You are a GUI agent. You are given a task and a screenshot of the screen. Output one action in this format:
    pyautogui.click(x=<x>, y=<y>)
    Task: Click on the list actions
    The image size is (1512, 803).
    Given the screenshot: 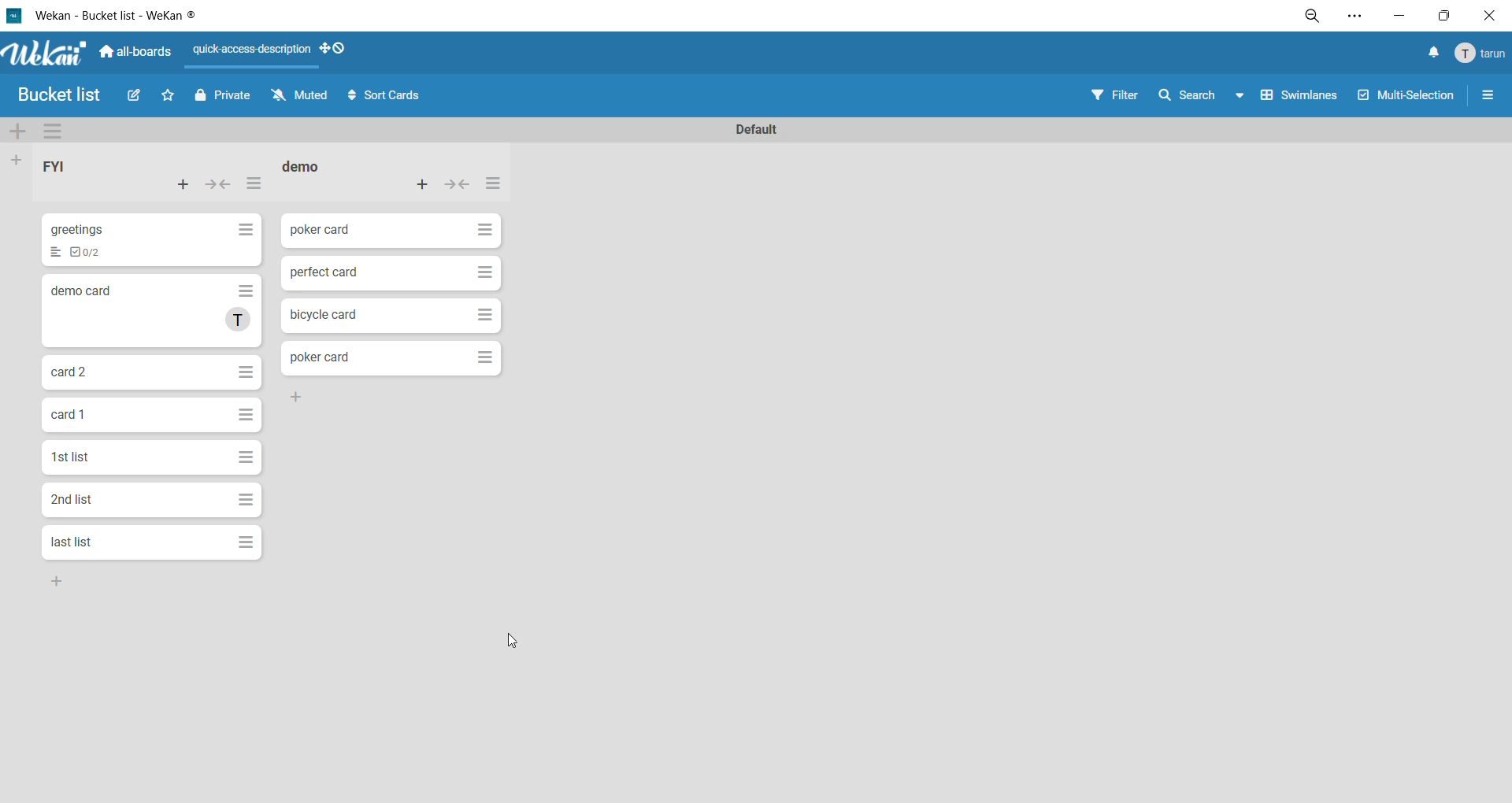 What is the action you would take?
    pyautogui.click(x=254, y=187)
    